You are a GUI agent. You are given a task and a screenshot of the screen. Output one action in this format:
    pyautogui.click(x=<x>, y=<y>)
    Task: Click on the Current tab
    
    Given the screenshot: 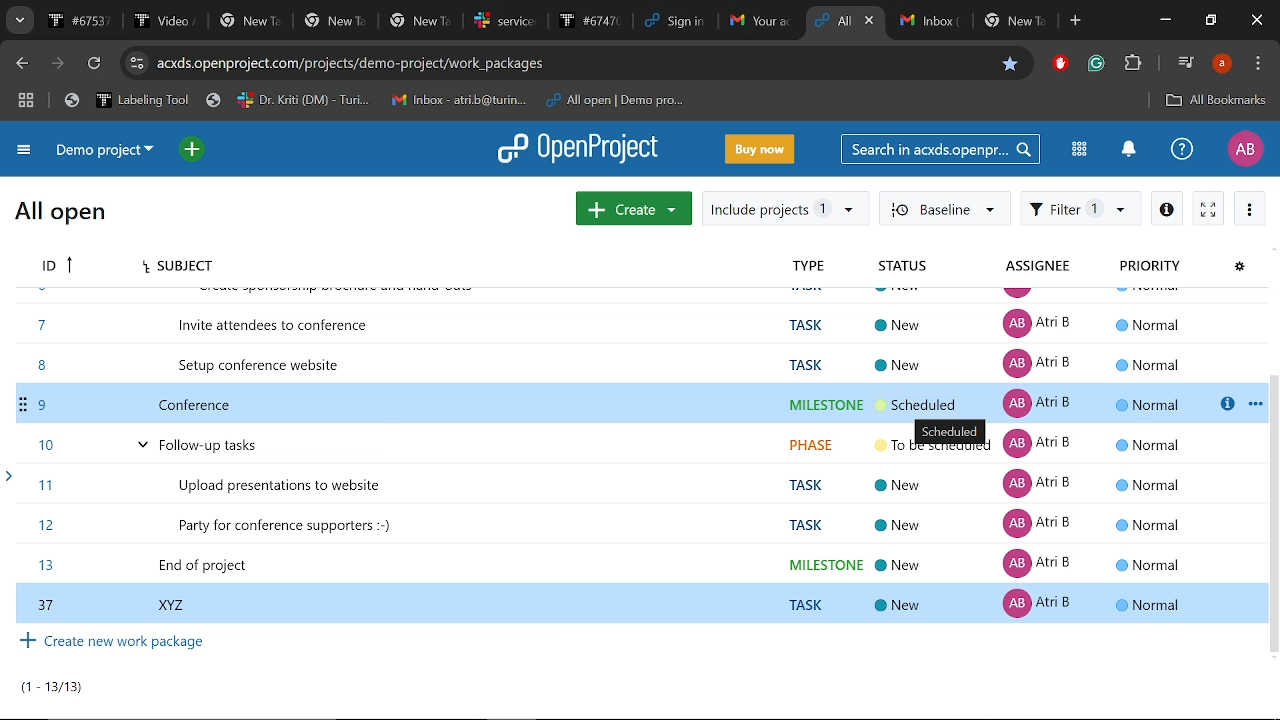 What is the action you would take?
    pyautogui.click(x=832, y=21)
    